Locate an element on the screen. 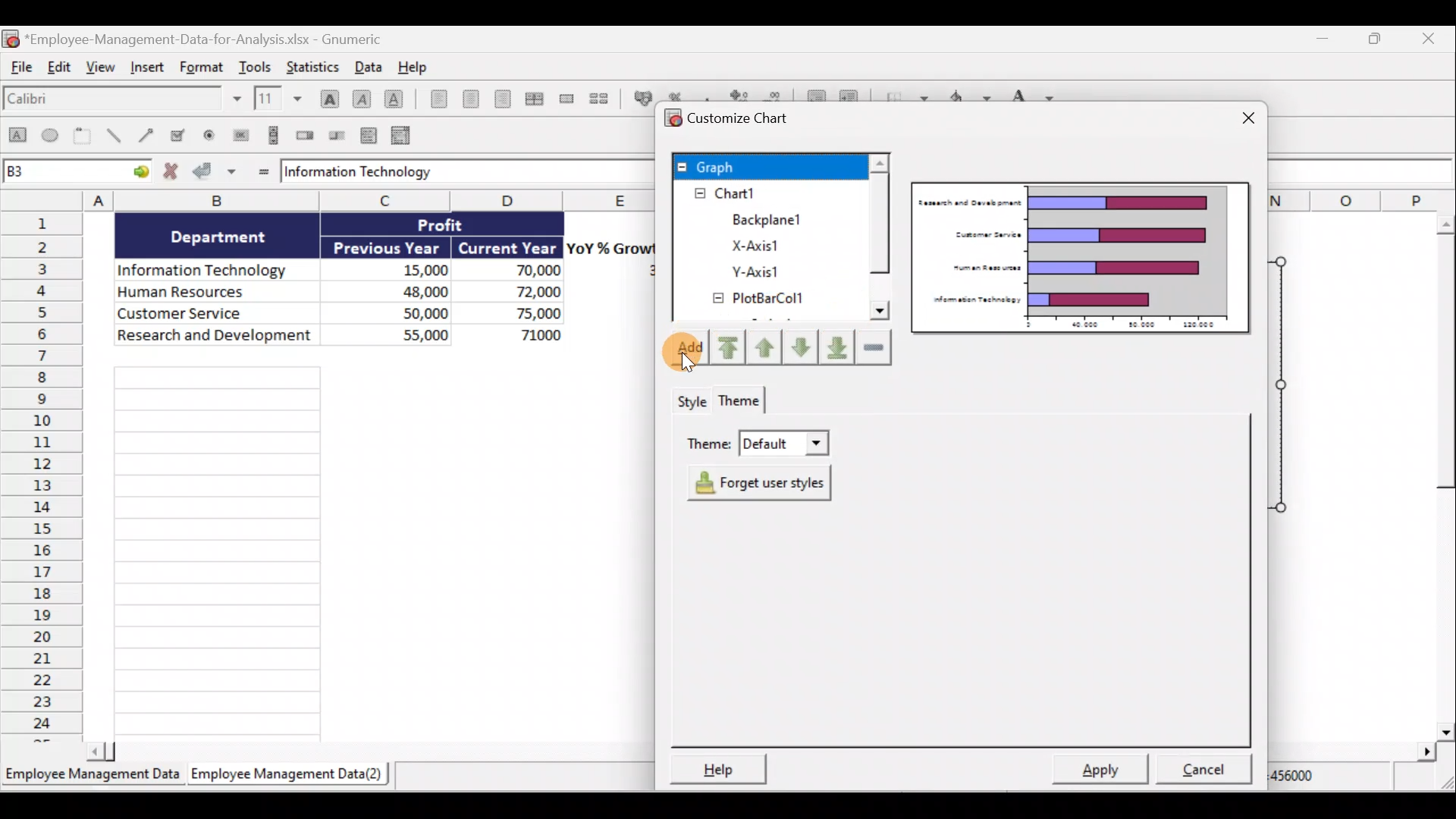 This screenshot has width=1456, height=819. Document name is located at coordinates (194, 37).